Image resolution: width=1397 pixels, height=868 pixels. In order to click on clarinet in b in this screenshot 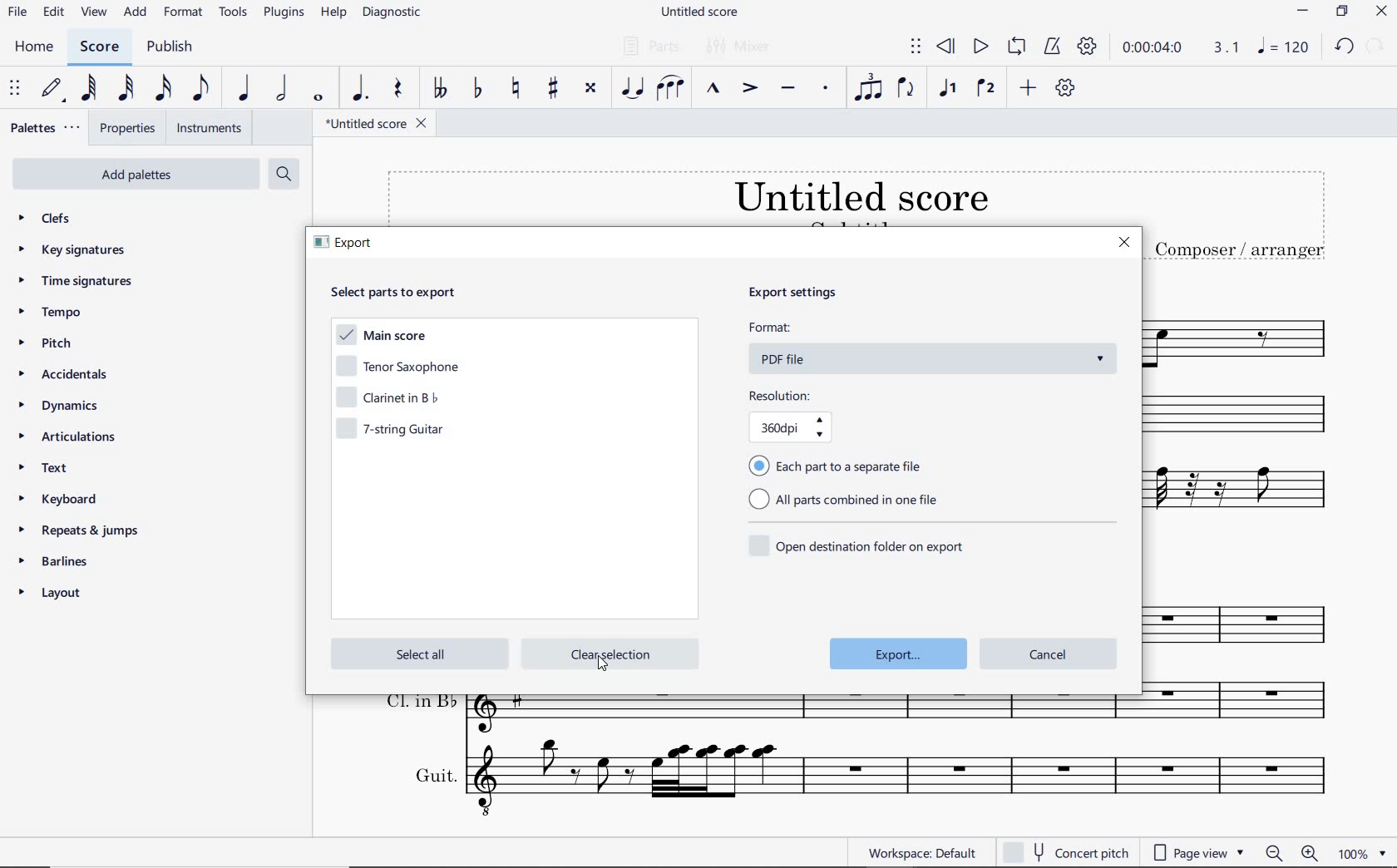, I will do `click(394, 397)`.